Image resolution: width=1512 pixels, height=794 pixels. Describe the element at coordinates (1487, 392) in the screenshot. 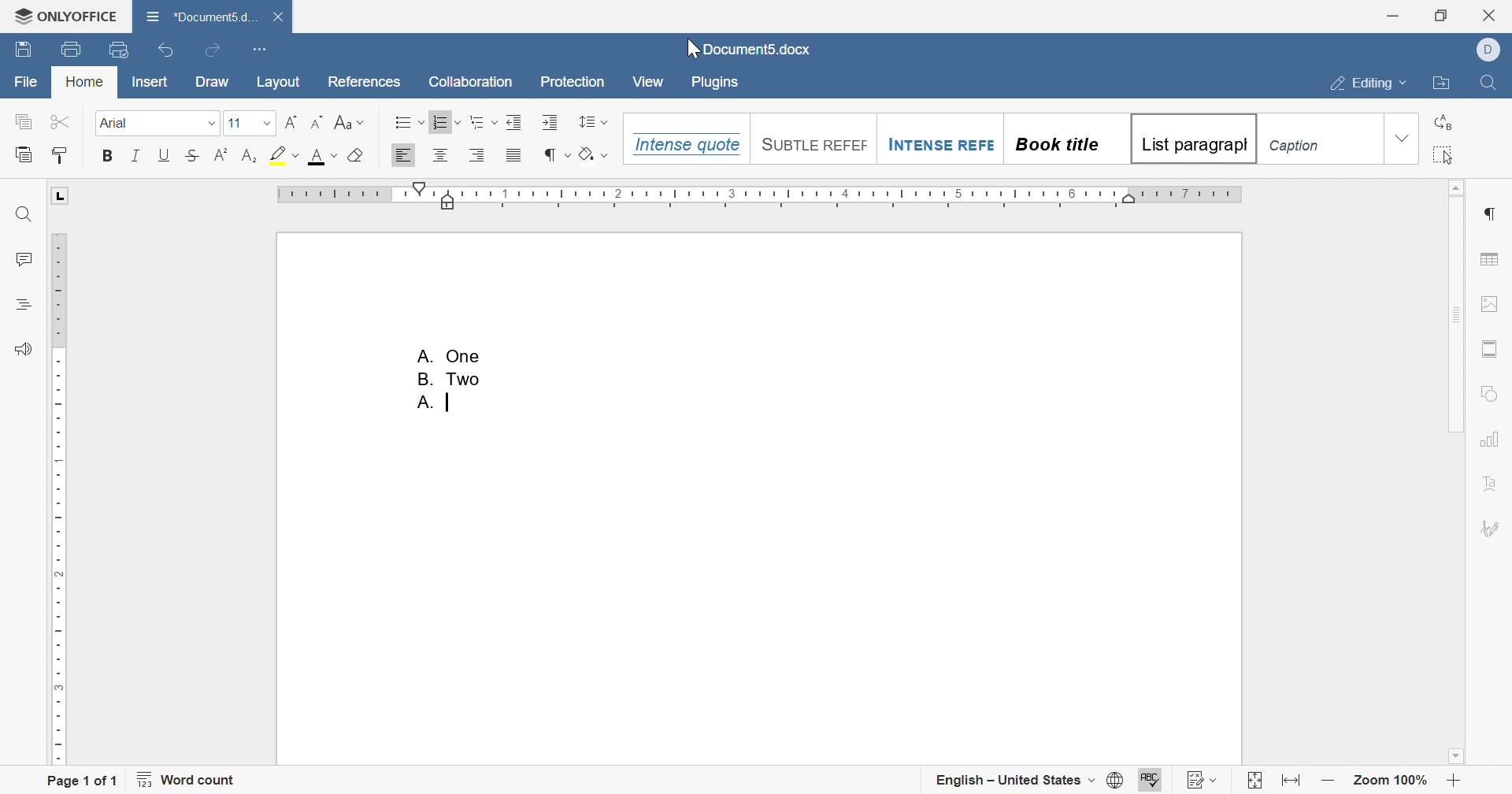

I see `shape settings` at that location.